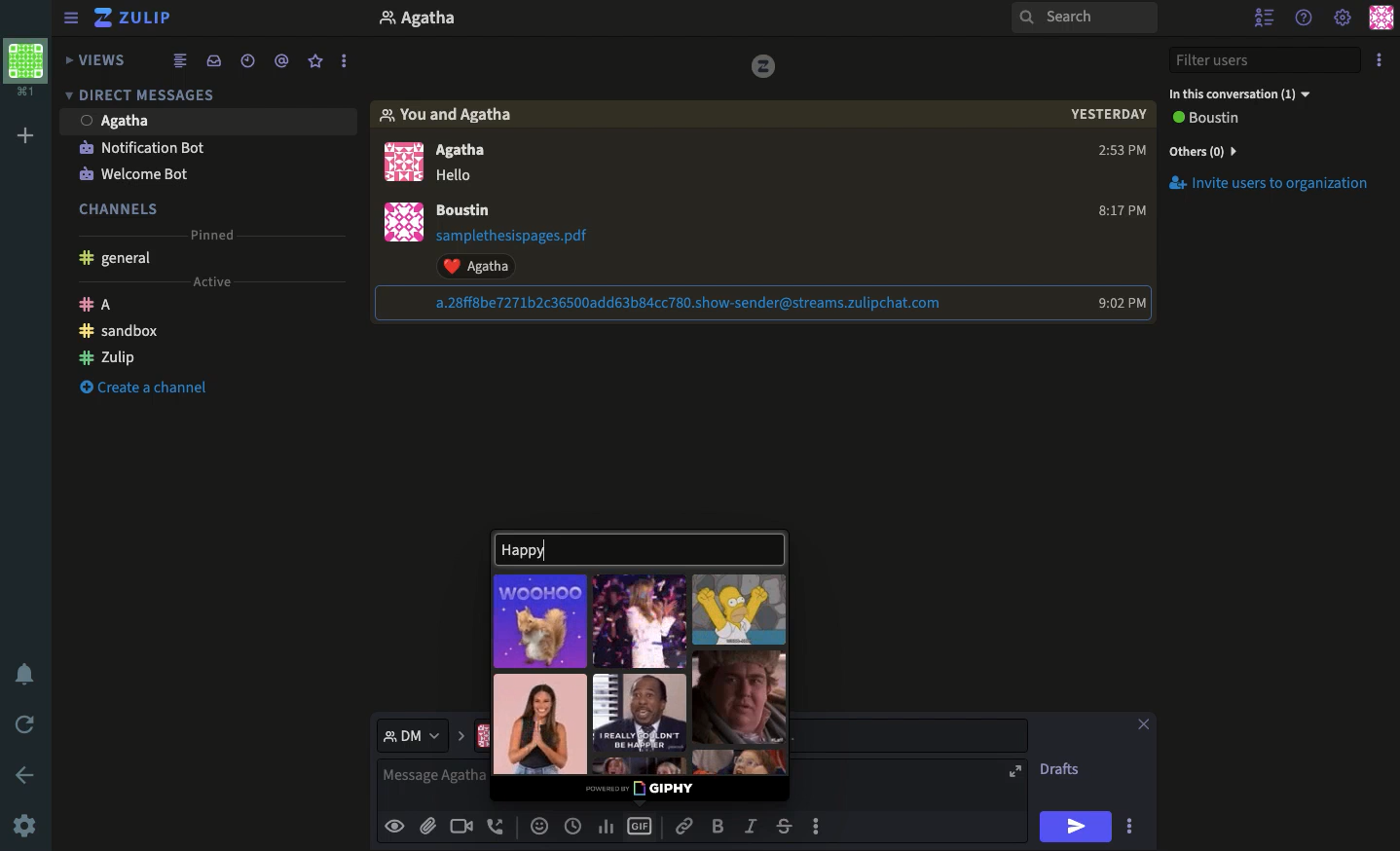  What do you see at coordinates (142, 18) in the screenshot?
I see `Zulip` at bounding box center [142, 18].